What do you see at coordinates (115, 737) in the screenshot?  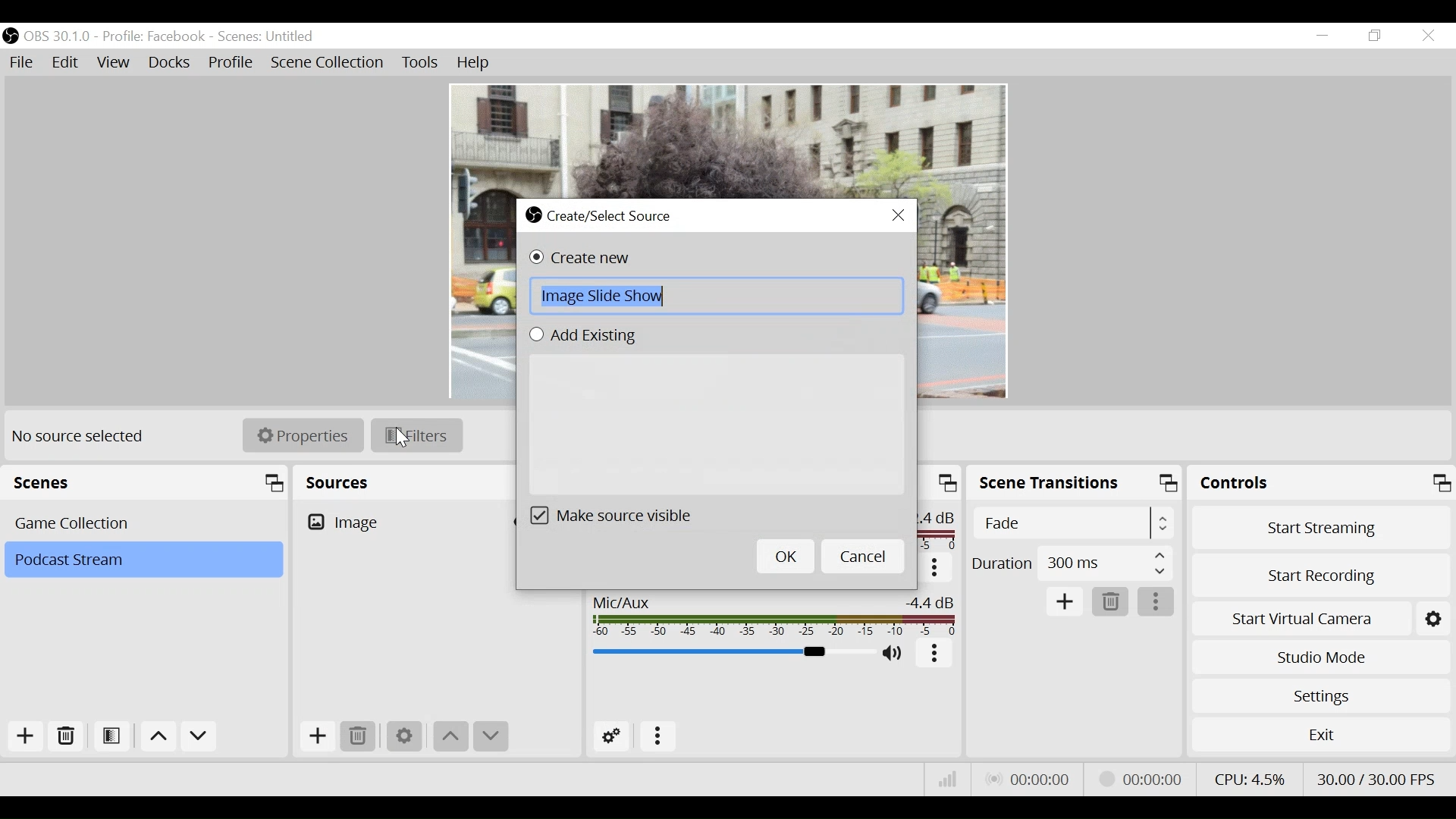 I see `Open Scene Filter` at bounding box center [115, 737].